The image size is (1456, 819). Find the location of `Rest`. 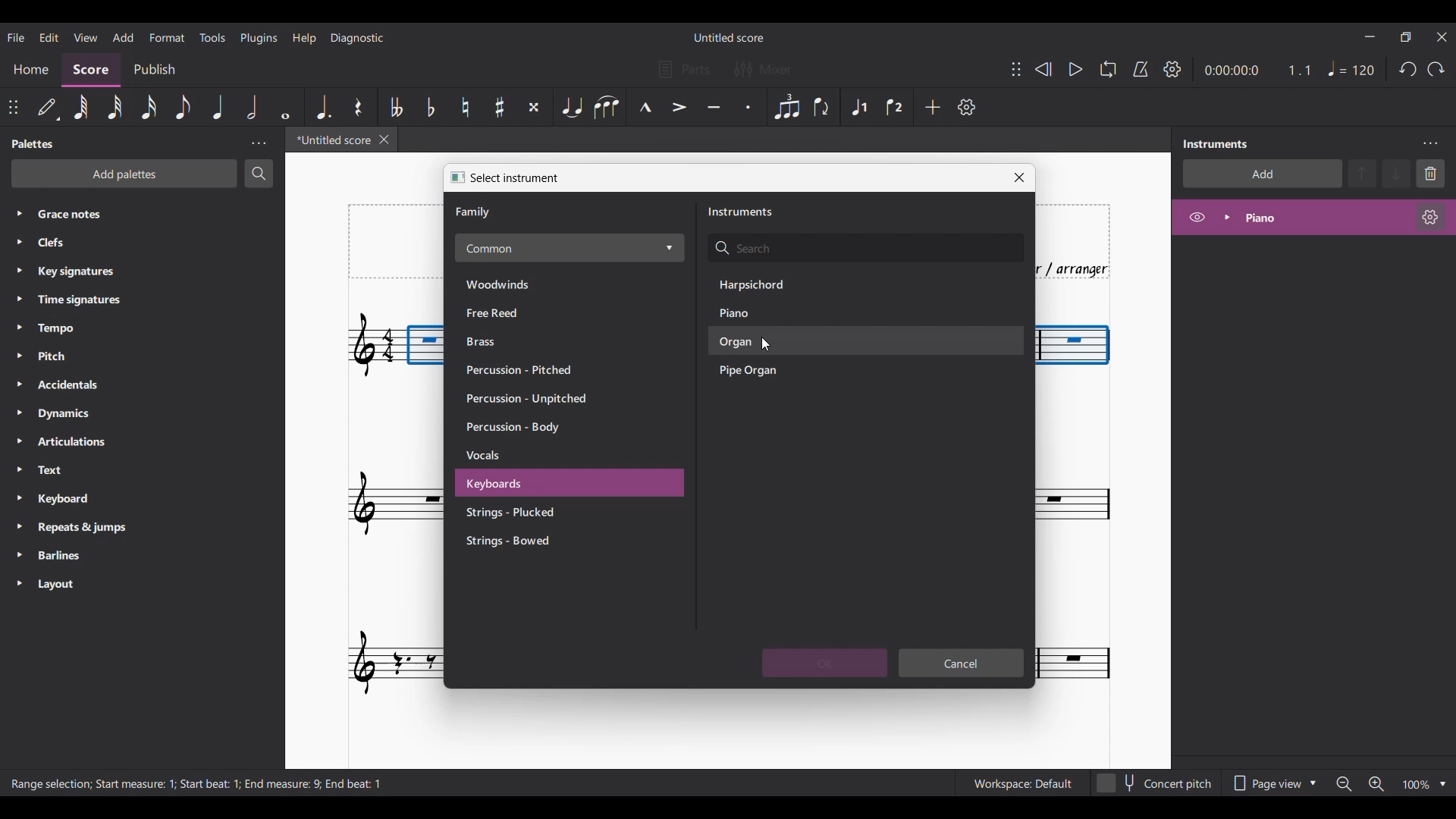

Rest is located at coordinates (358, 107).